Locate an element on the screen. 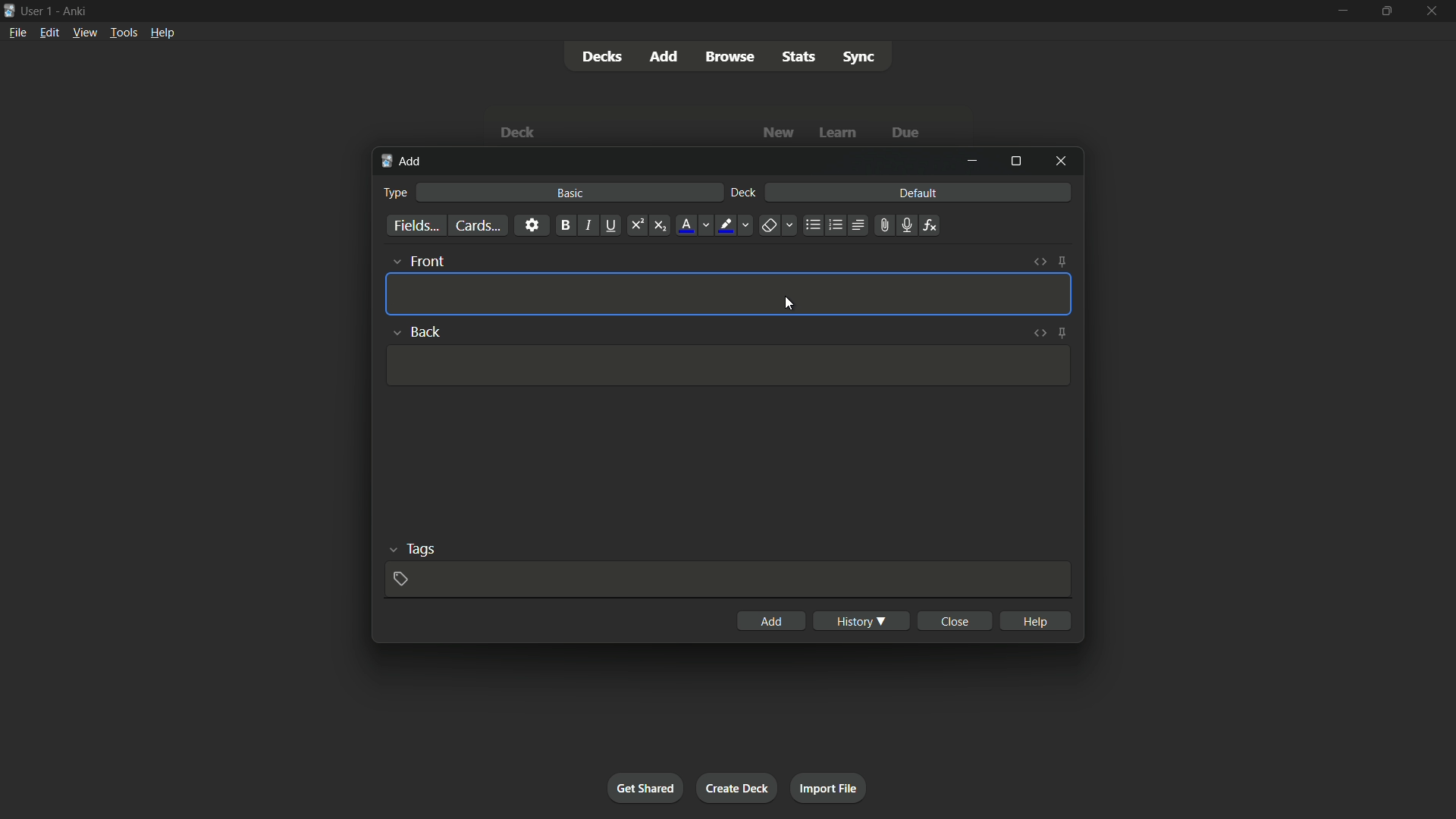 The height and width of the screenshot is (819, 1456). alignment is located at coordinates (857, 226).